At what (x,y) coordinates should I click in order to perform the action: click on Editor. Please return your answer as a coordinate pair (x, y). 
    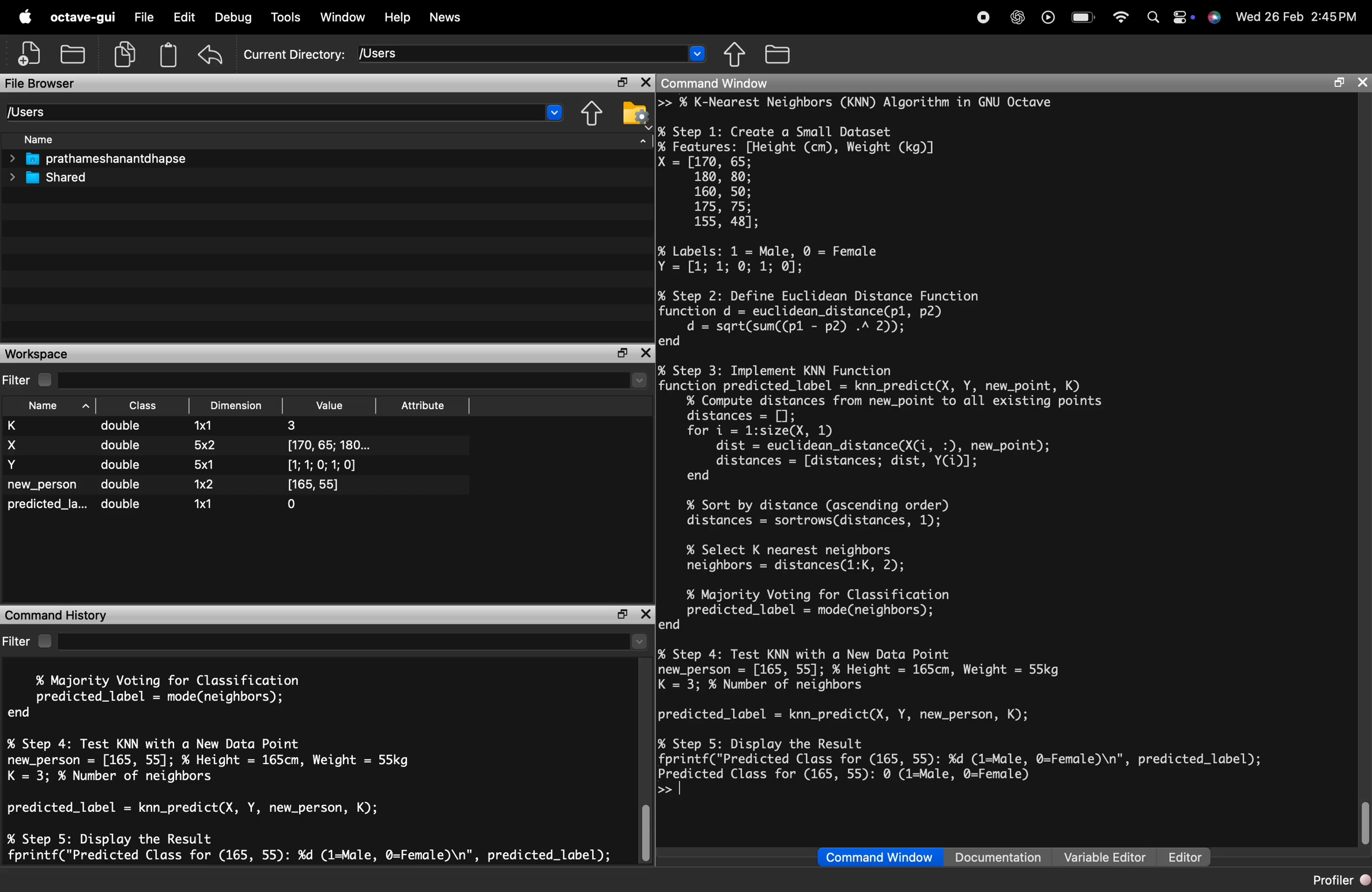
    Looking at the image, I should click on (1182, 852).